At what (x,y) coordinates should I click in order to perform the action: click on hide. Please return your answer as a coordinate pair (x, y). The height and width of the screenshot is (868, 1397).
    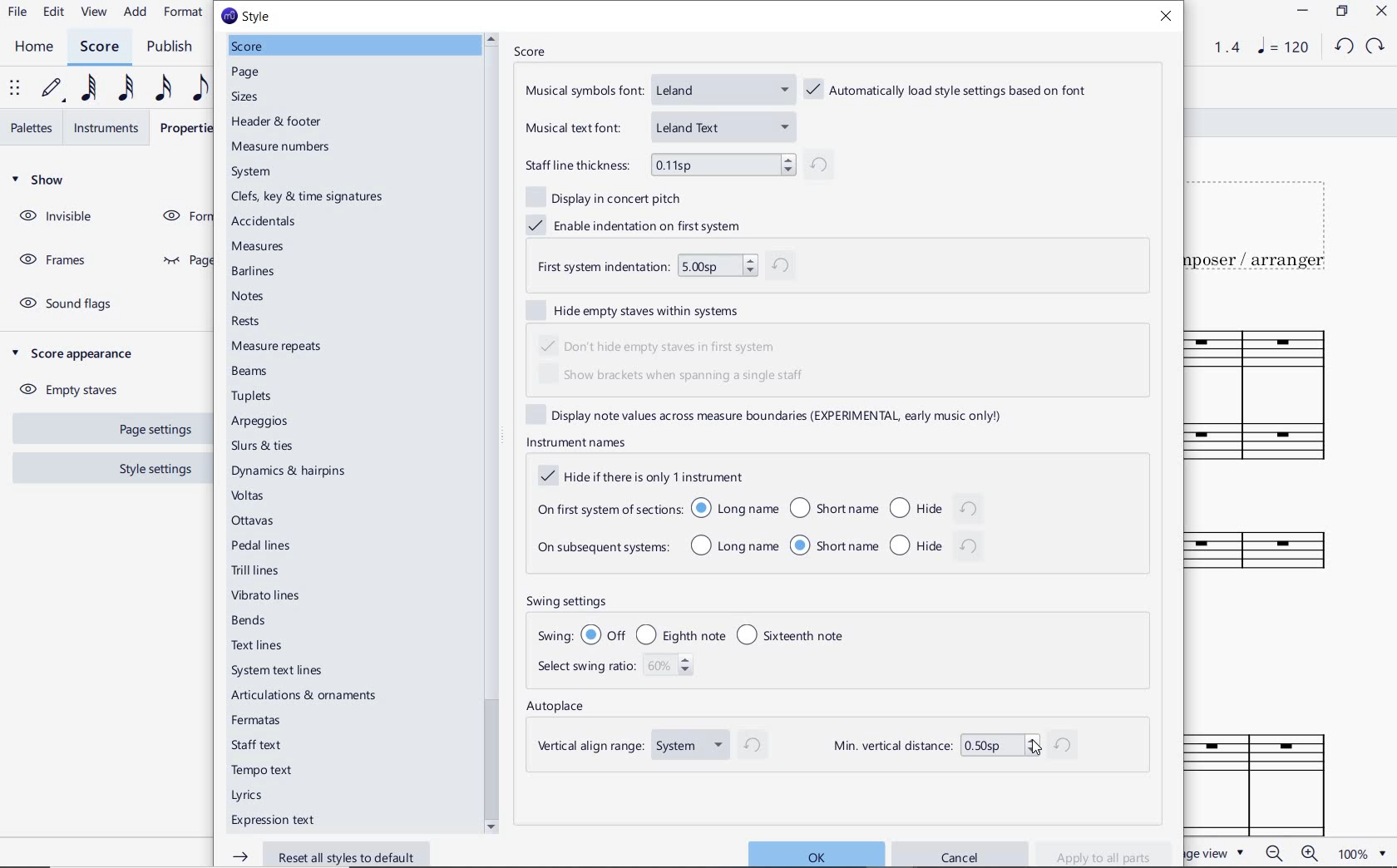
    Looking at the image, I should click on (938, 545).